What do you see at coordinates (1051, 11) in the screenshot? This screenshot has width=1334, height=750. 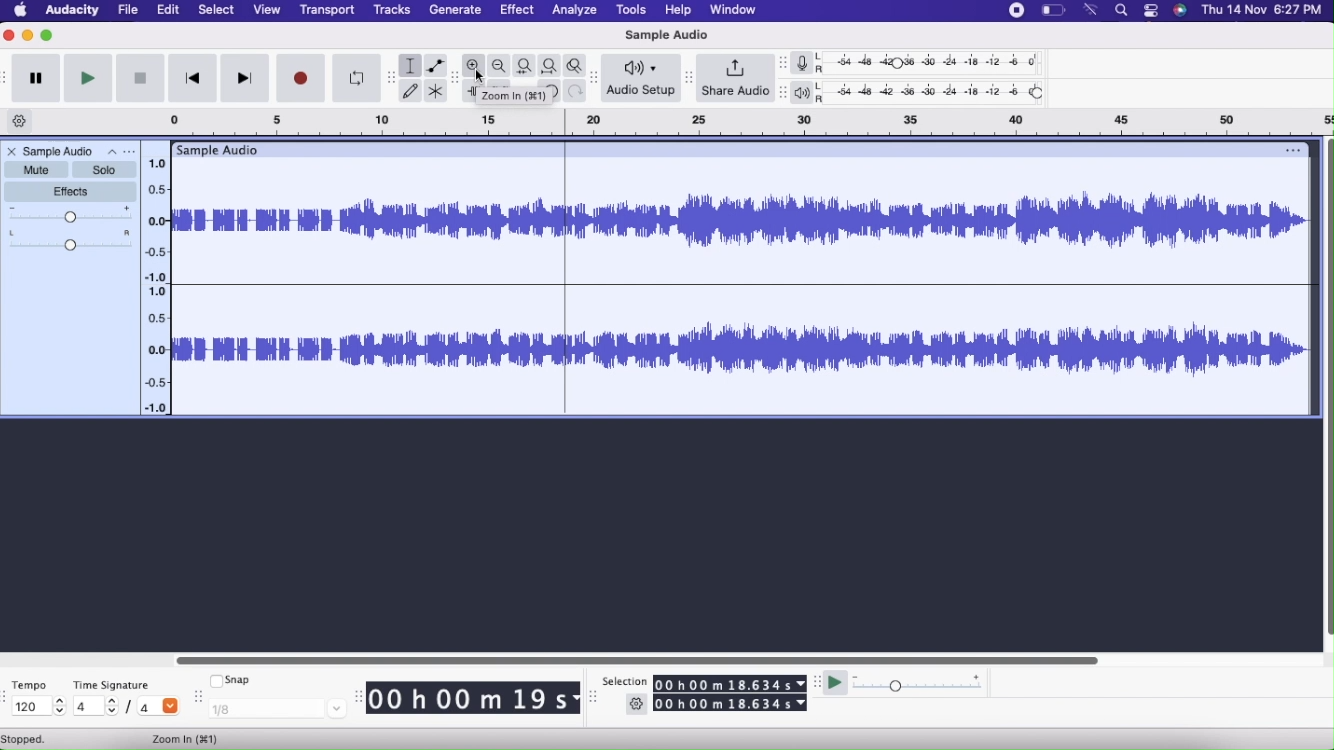 I see `Battery` at bounding box center [1051, 11].